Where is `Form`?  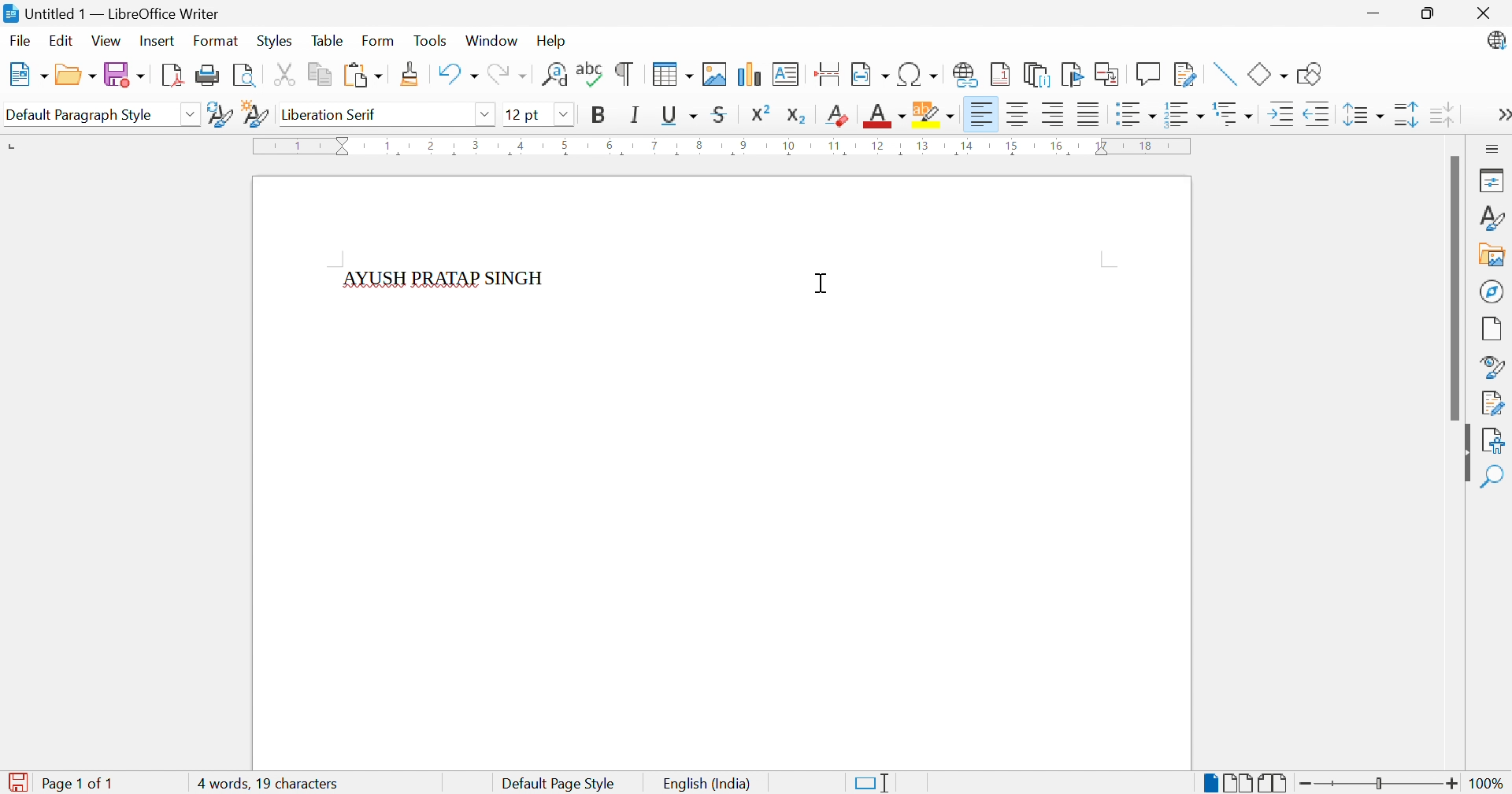 Form is located at coordinates (379, 39).